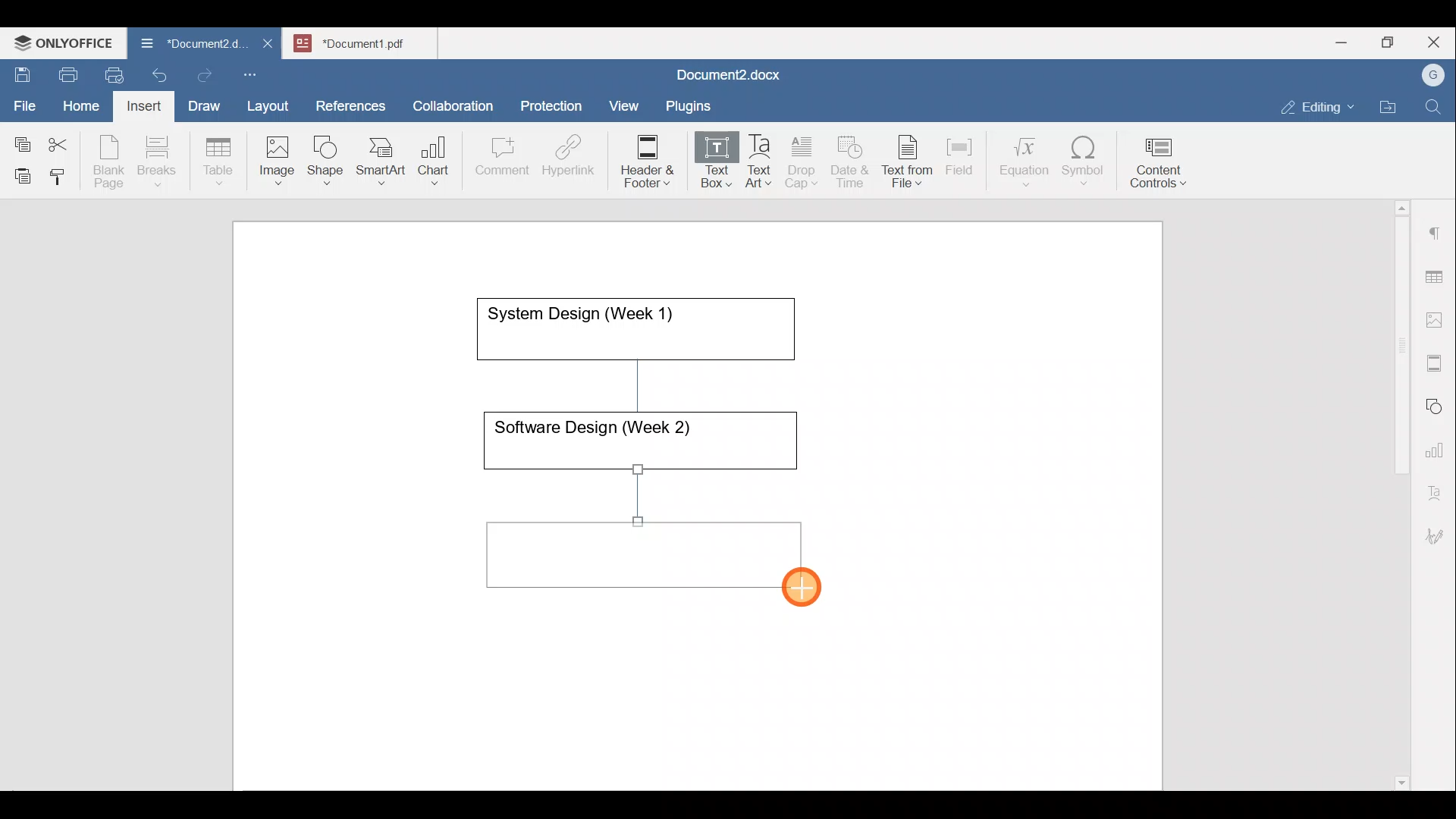 The image size is (1456, 819). What do you see at coordinates (1084, 165) in the screenshot?
I see `Symbol` at bounding box center [1084, 165].